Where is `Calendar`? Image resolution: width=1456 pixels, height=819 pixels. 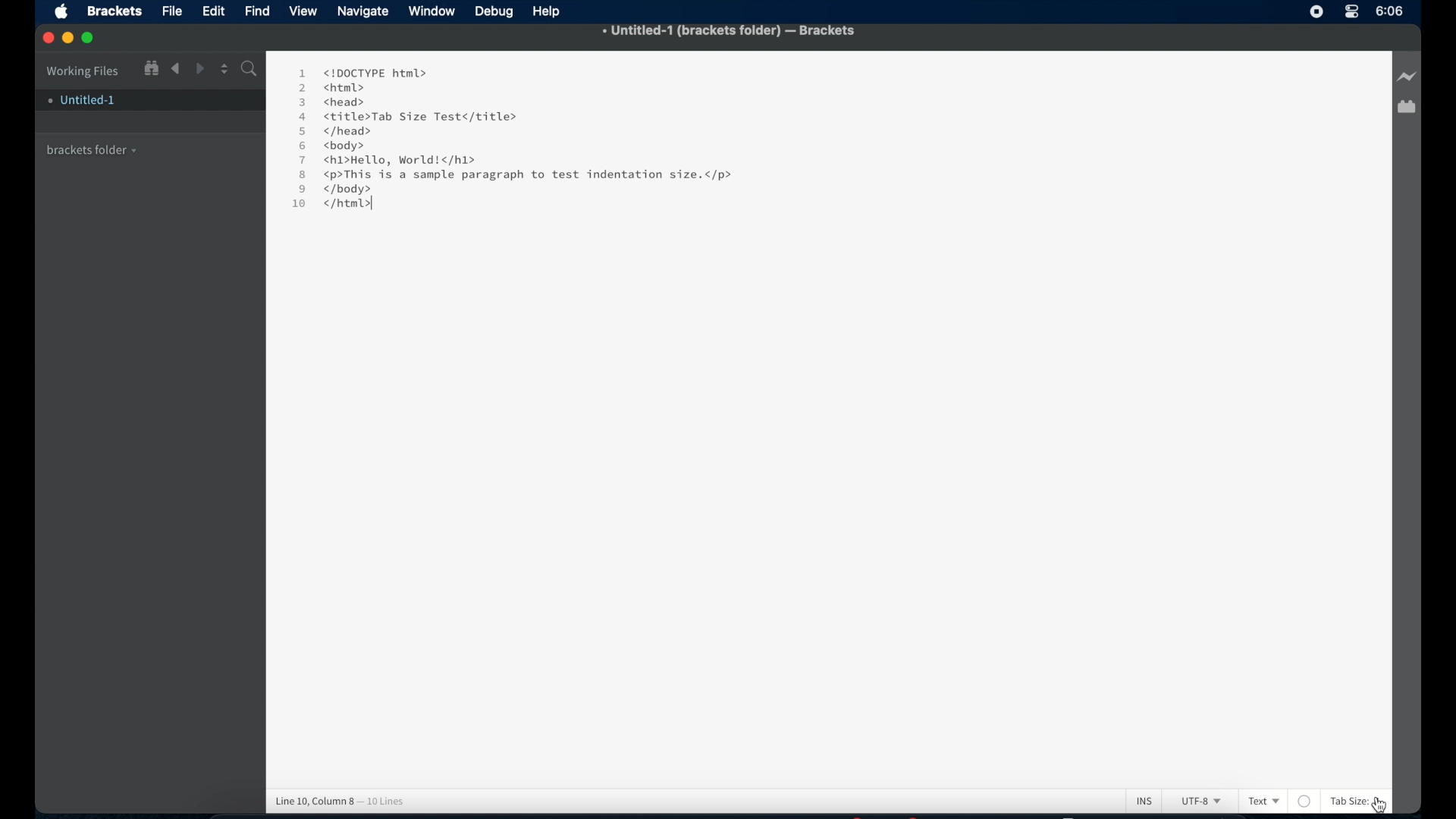 Calendar is located at coordinates (1406, 108).